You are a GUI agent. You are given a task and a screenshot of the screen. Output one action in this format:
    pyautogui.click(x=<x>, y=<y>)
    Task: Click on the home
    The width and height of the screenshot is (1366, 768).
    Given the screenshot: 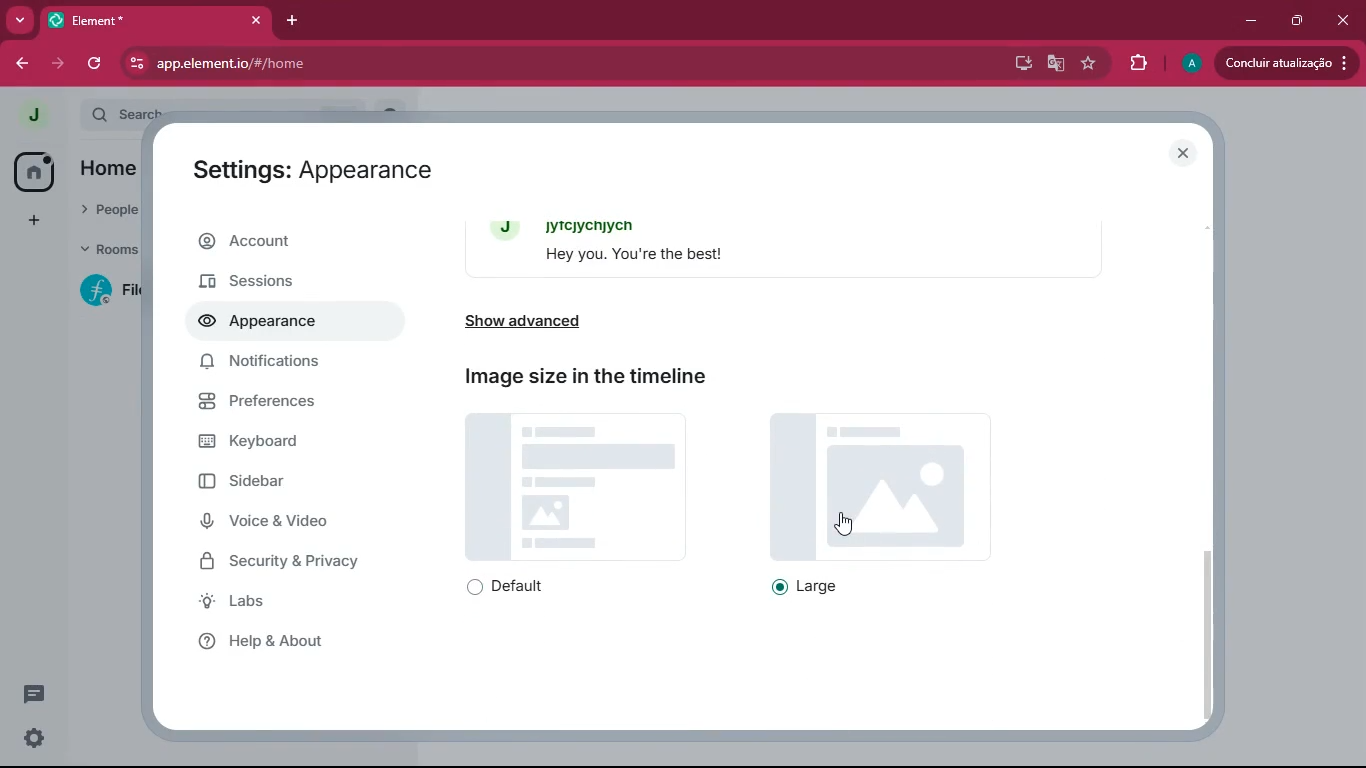 What is the action you would take?
    pyautogui.click(x=27, y=170)
    